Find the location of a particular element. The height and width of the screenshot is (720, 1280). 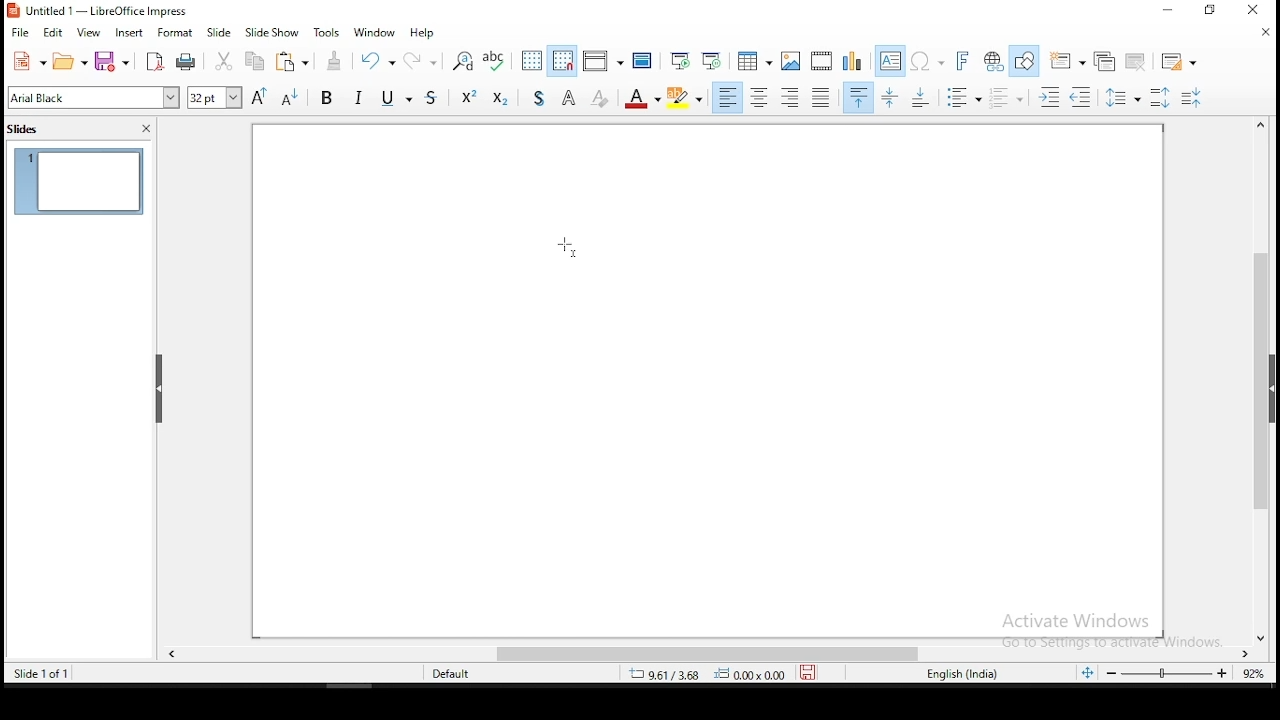

paste is located at coordinates (291, 61).